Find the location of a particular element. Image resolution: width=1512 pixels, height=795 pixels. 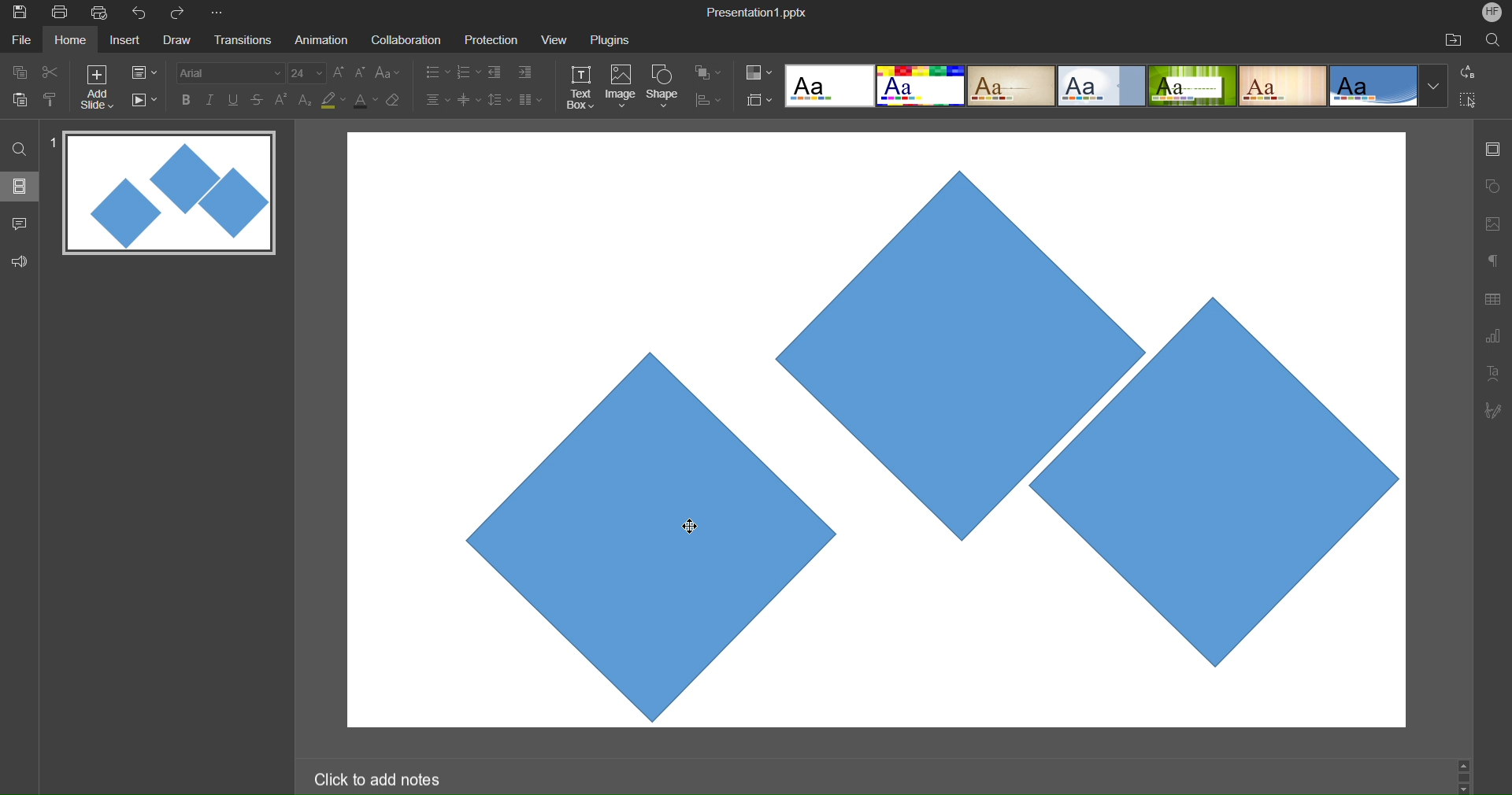

Text Box is located at coordinates (582, 87).